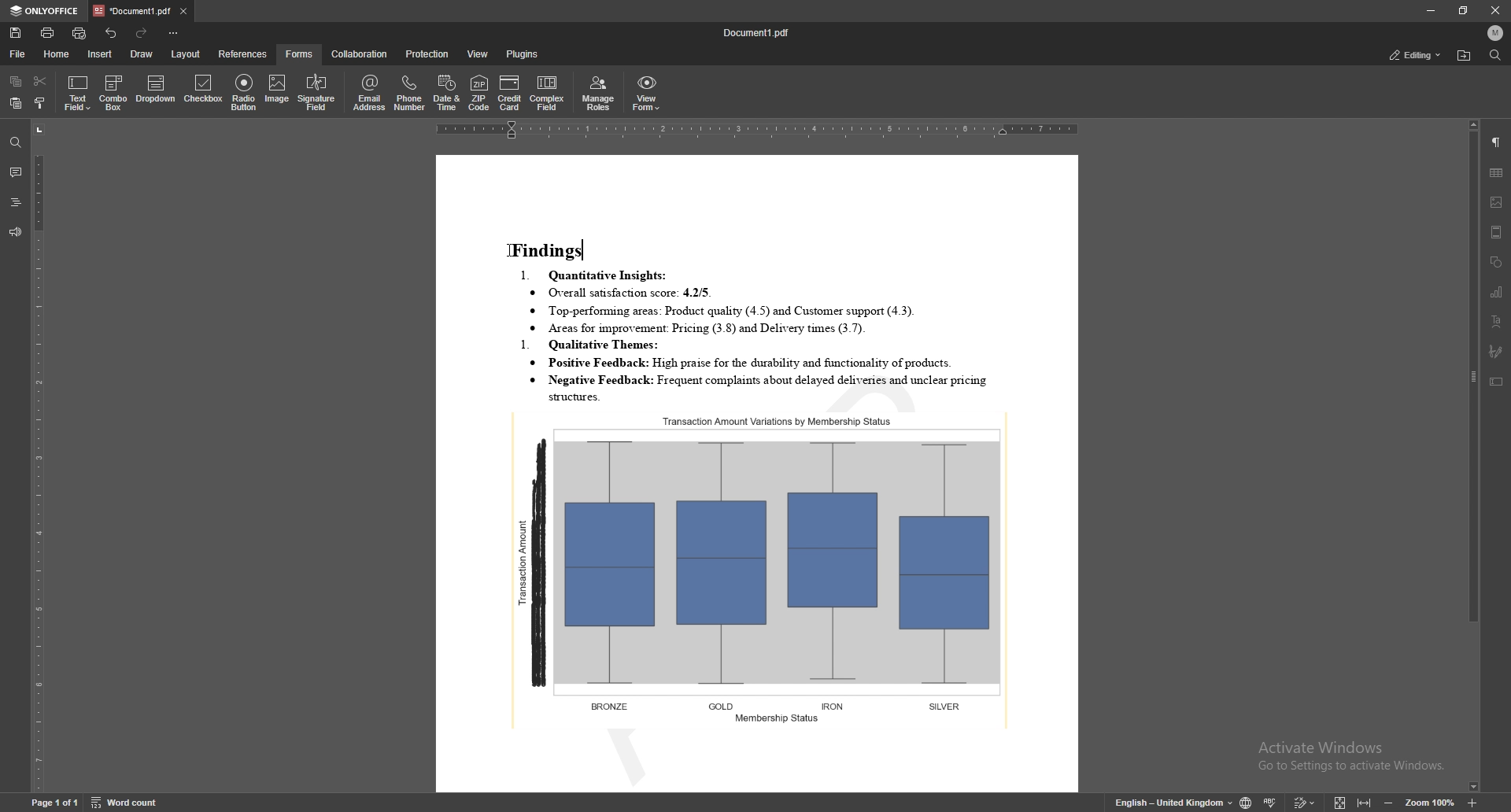 This screenshot has height=812, width=1511. What do you see at coordinates (79, 92) in the screenshot?
I see `text field` at bounding box center [79, 92].